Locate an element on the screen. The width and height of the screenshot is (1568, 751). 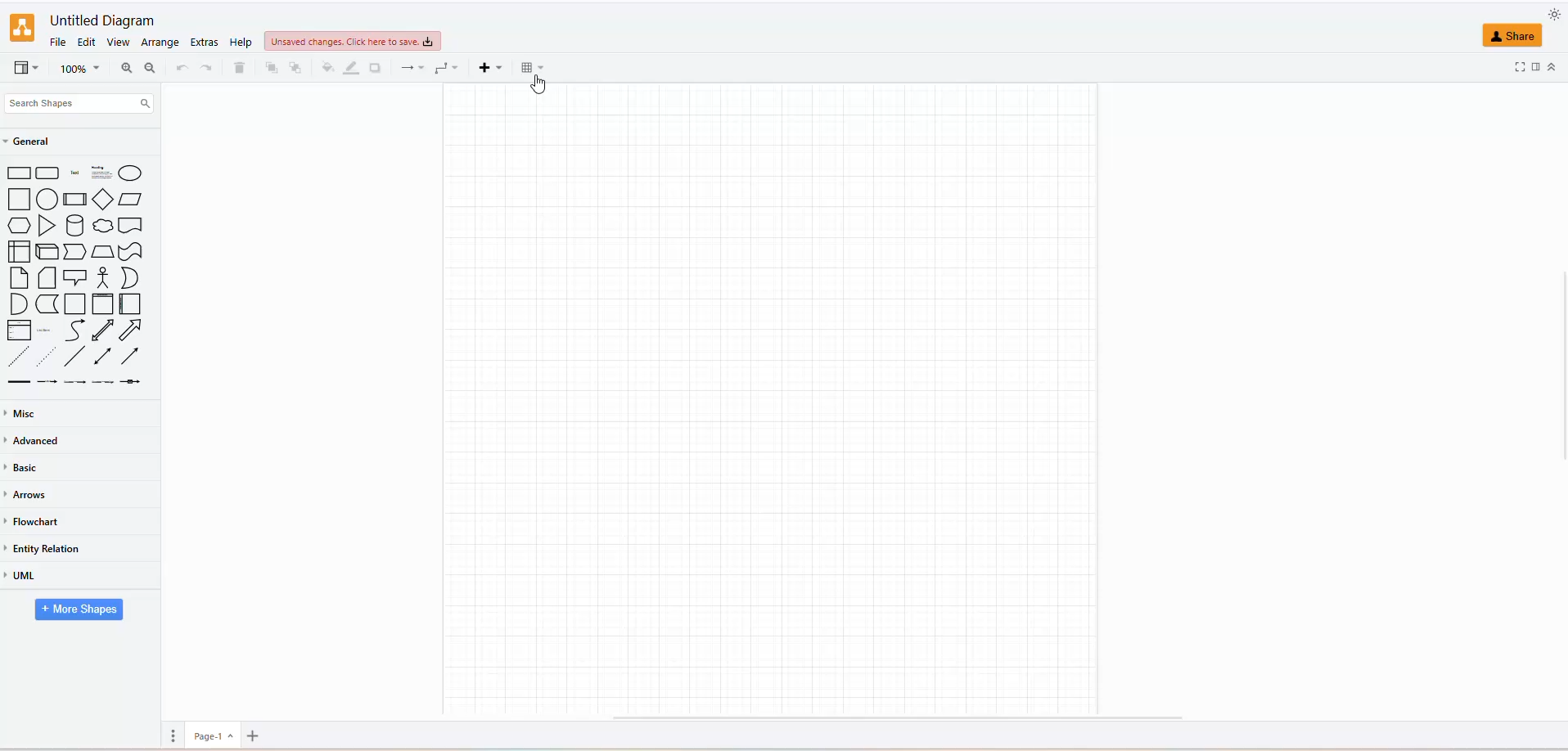
line colors is located at coordinates (354, 68).